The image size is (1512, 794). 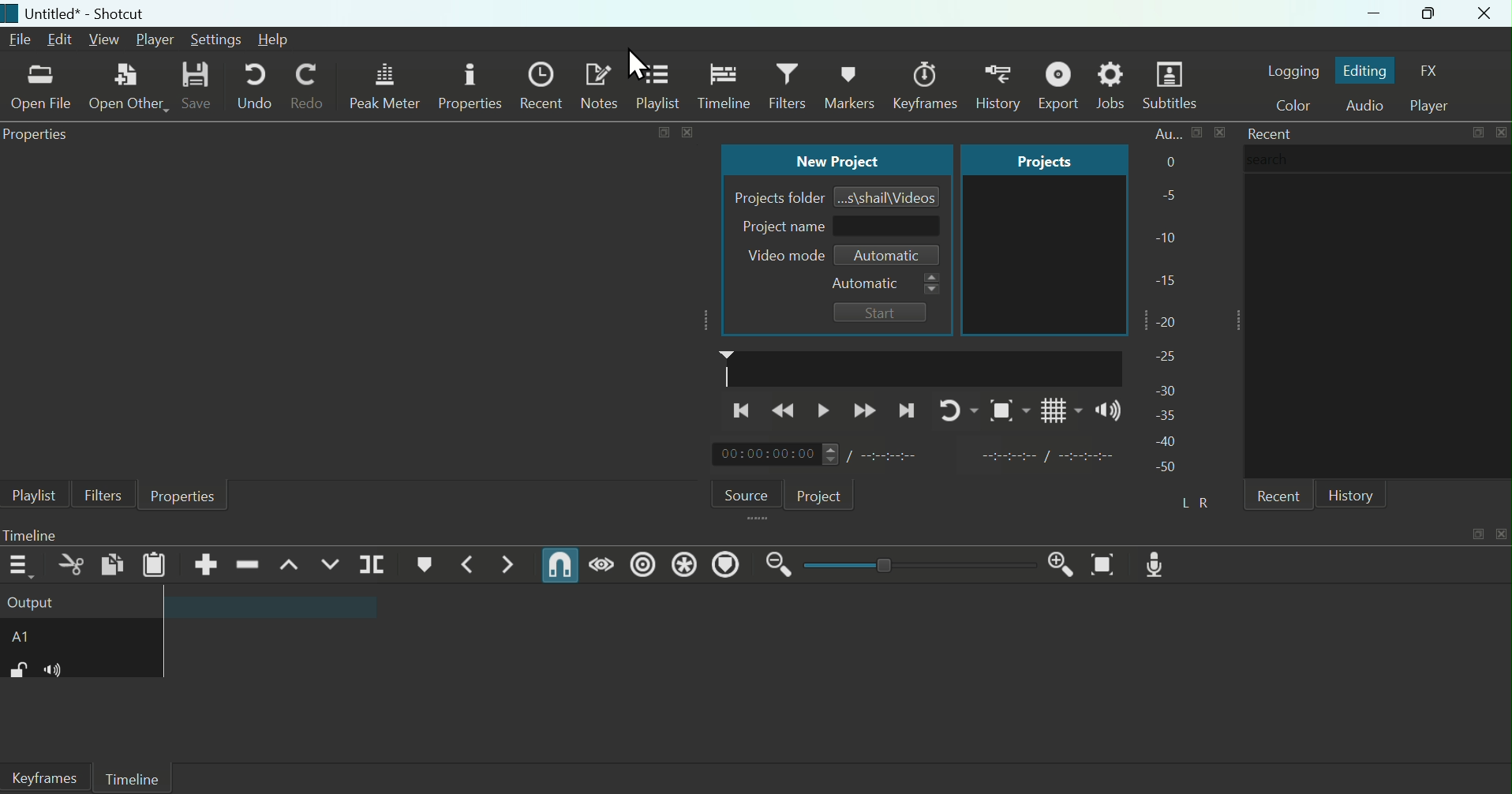 I want to click on Undo, so click(x=252, y=88).